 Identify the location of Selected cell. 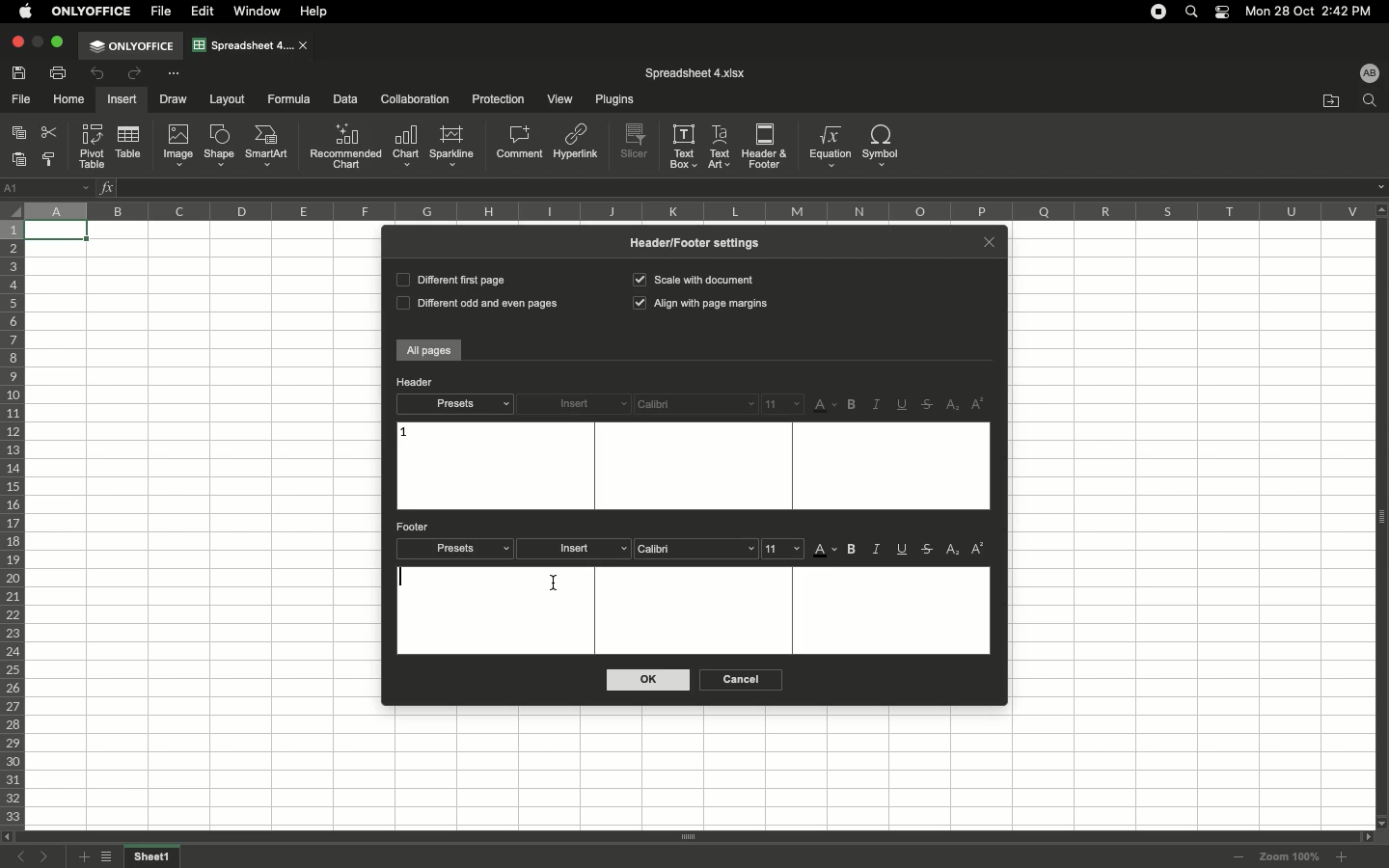
(58, 232).